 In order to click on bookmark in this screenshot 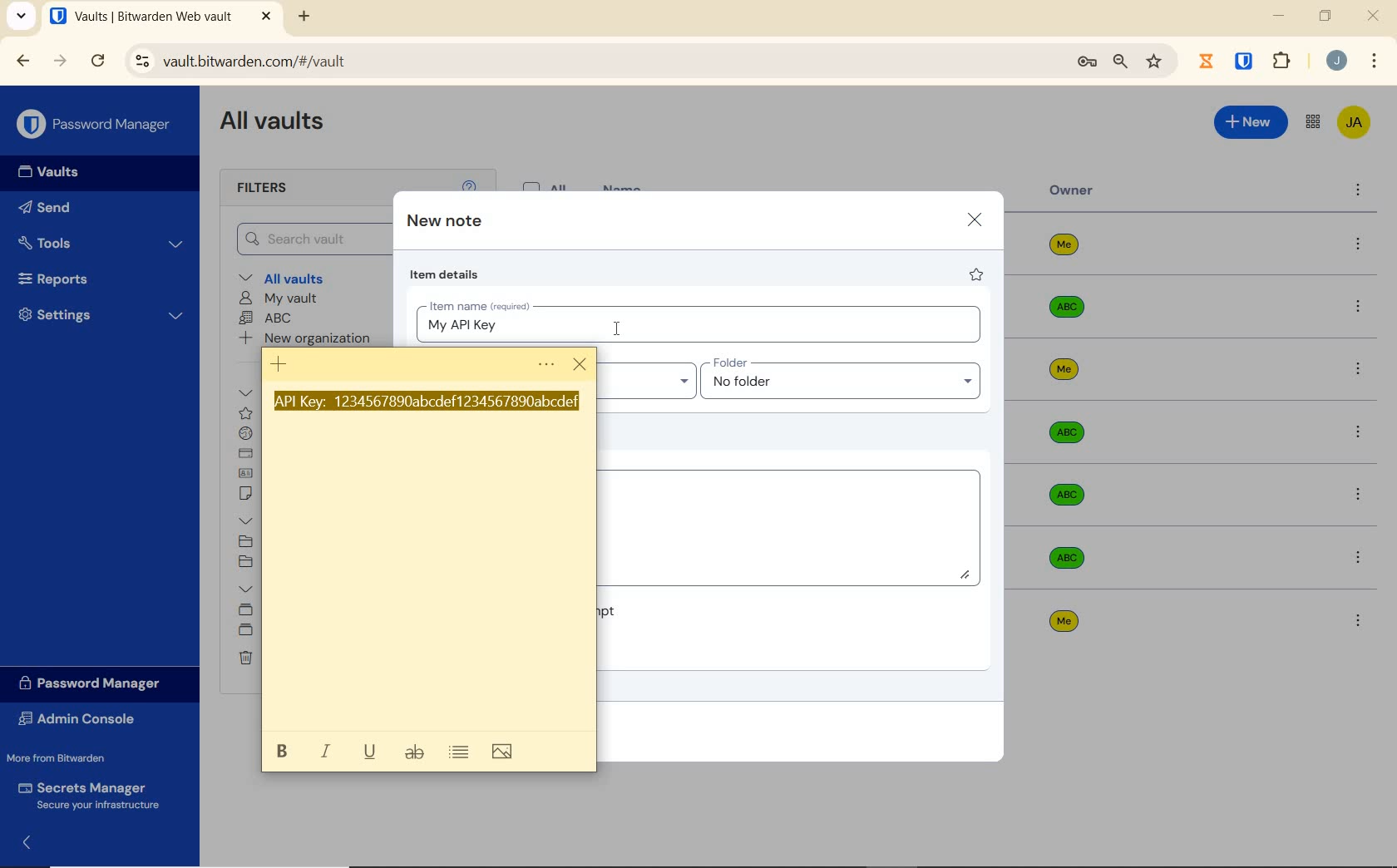, I will do `click(1154, 62)`.